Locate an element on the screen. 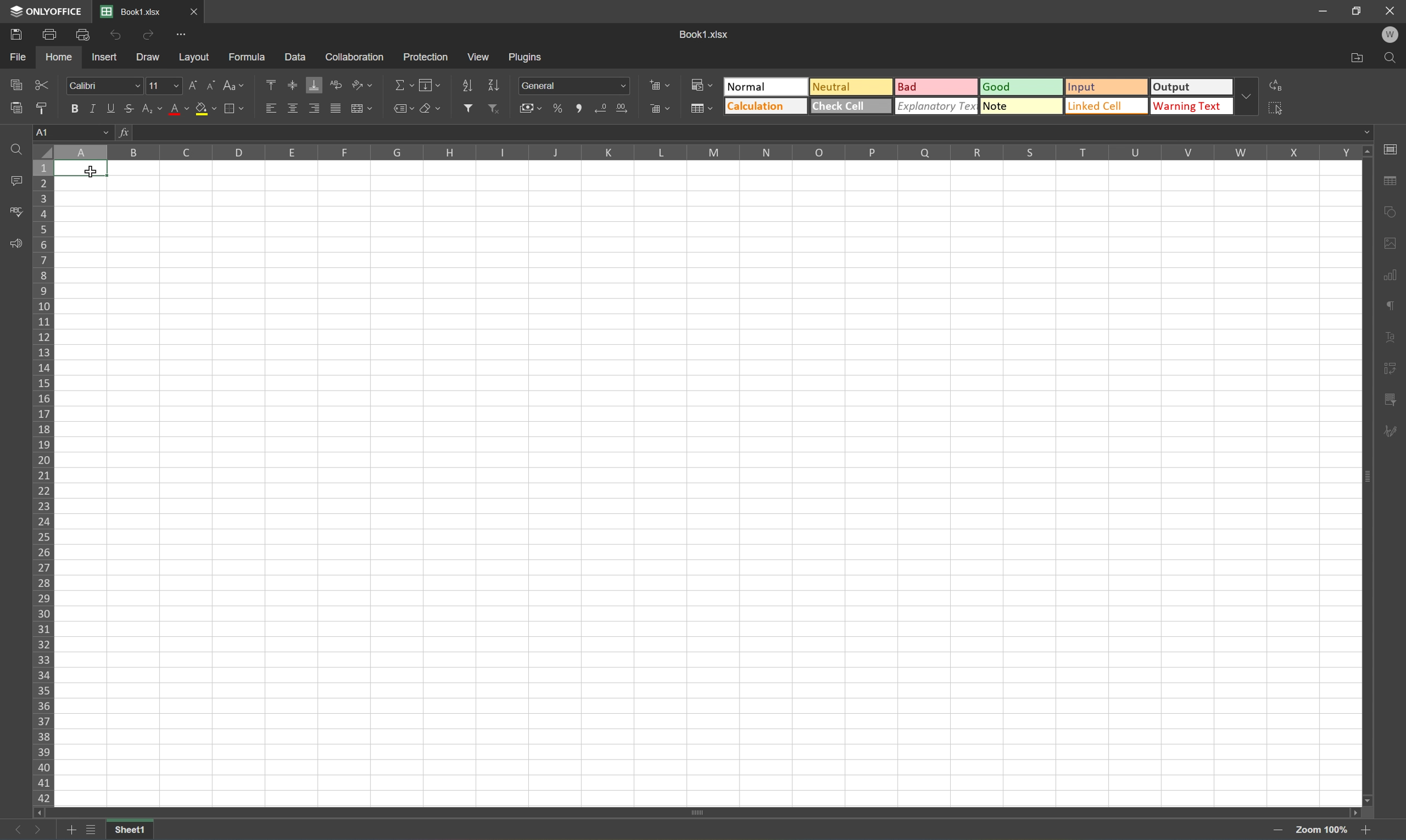  Quick print is located at coordinates (87, 37).